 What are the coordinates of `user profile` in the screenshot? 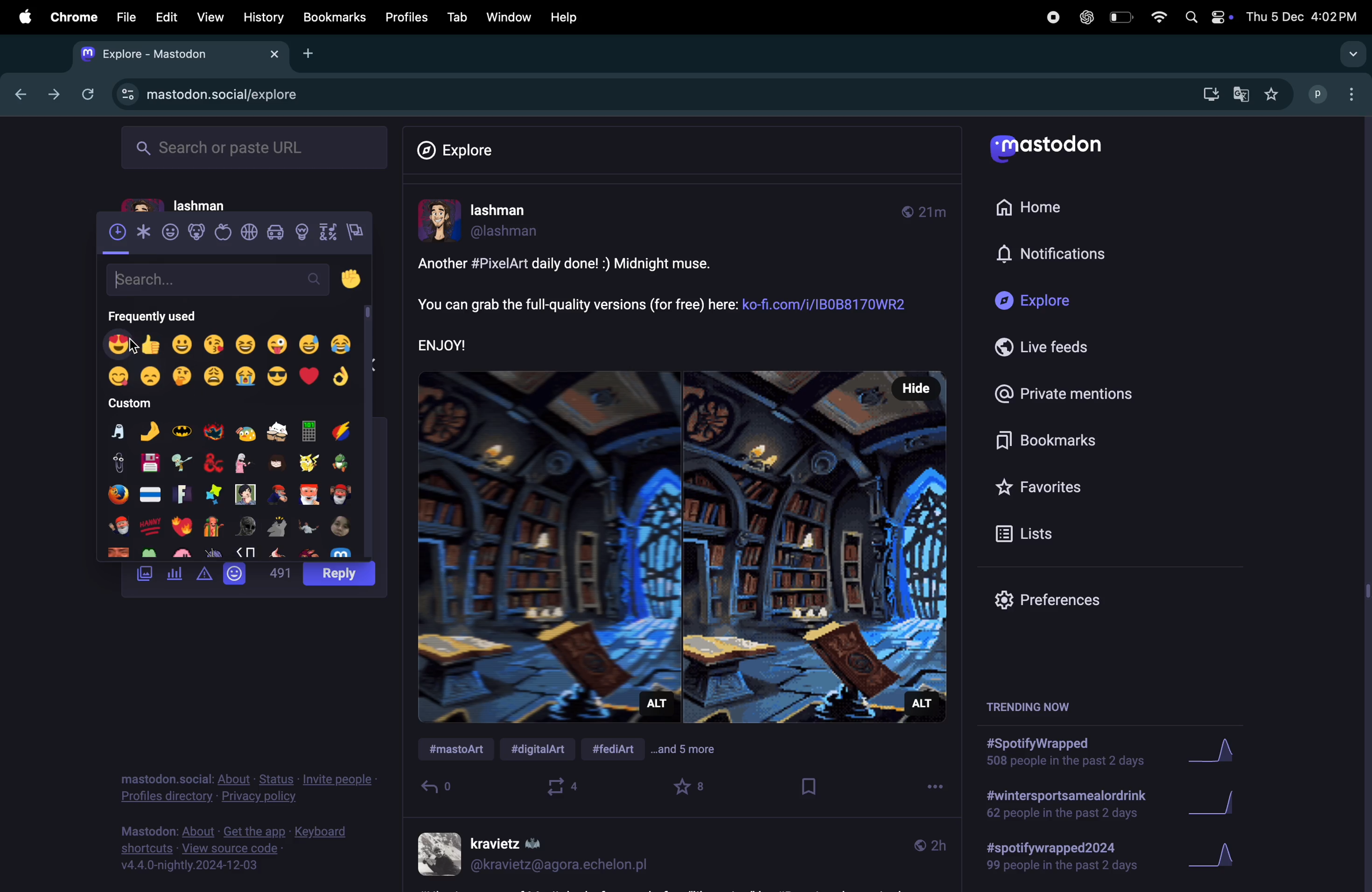 It's located at (536, 855).